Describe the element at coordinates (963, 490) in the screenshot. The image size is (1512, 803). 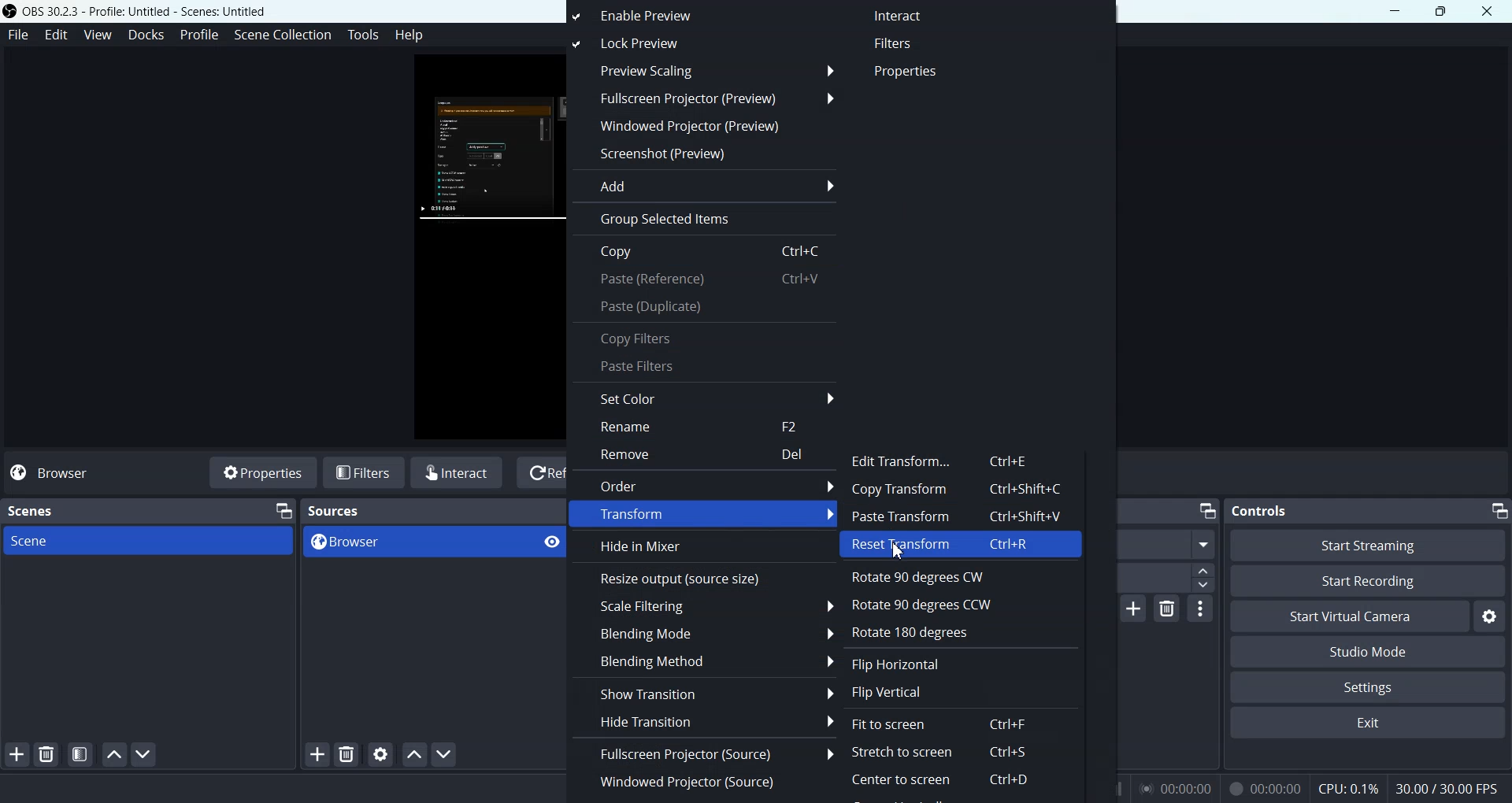
I see `Copy Transform` at that location.